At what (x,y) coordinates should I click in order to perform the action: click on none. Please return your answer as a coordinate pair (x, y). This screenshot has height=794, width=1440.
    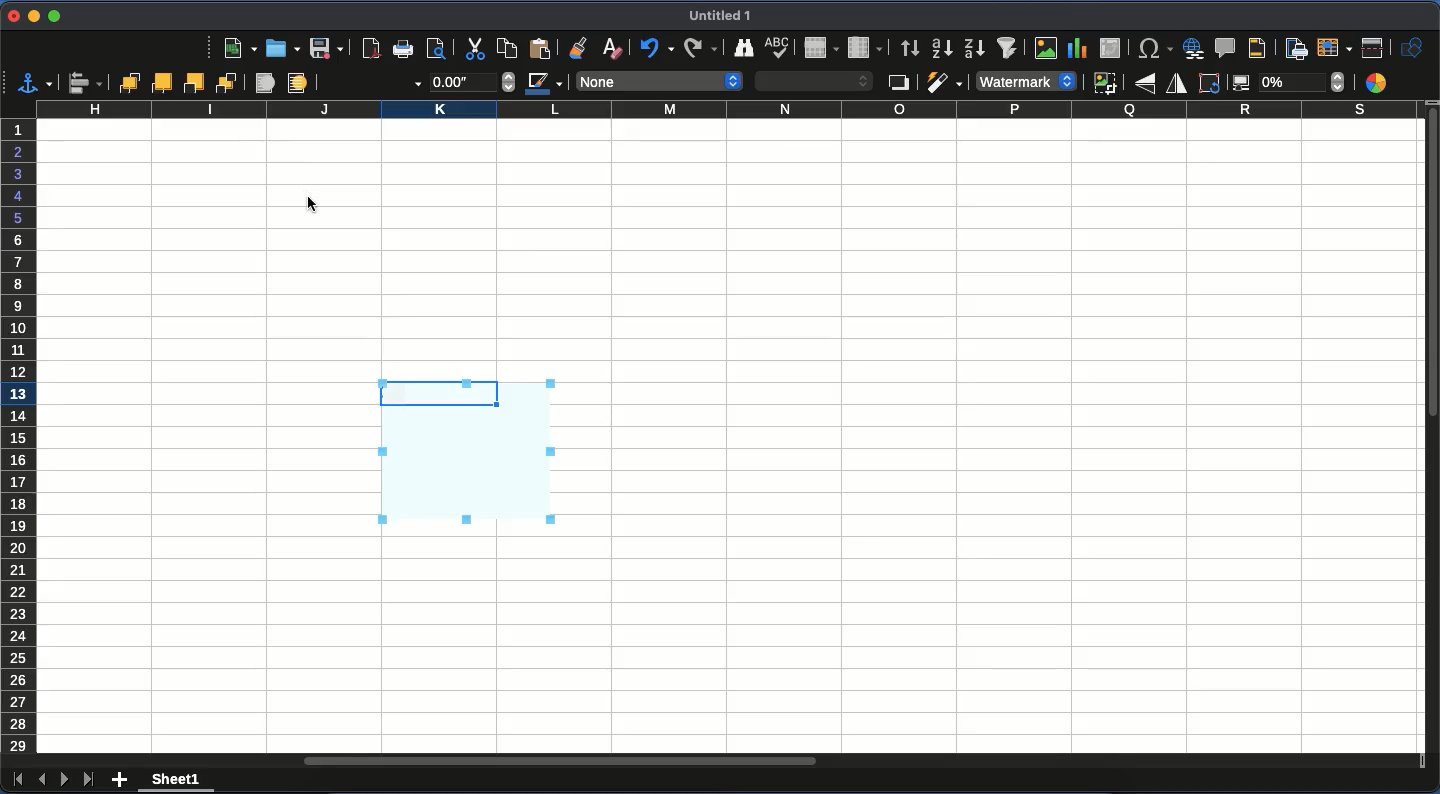
    Looking at the image, I should click on (659, 81).